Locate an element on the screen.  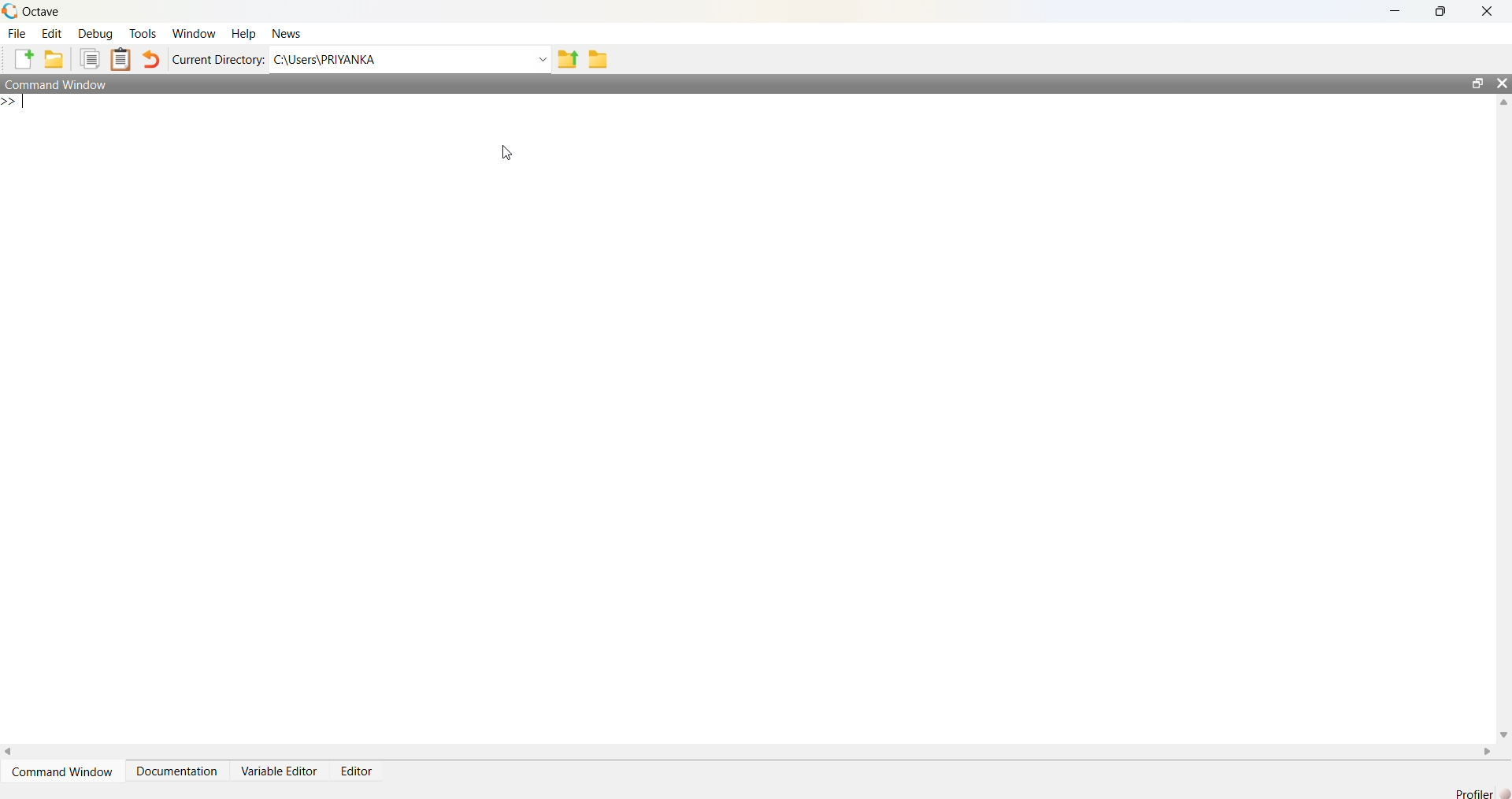
Profiler is located at coordinates (1476, 792).